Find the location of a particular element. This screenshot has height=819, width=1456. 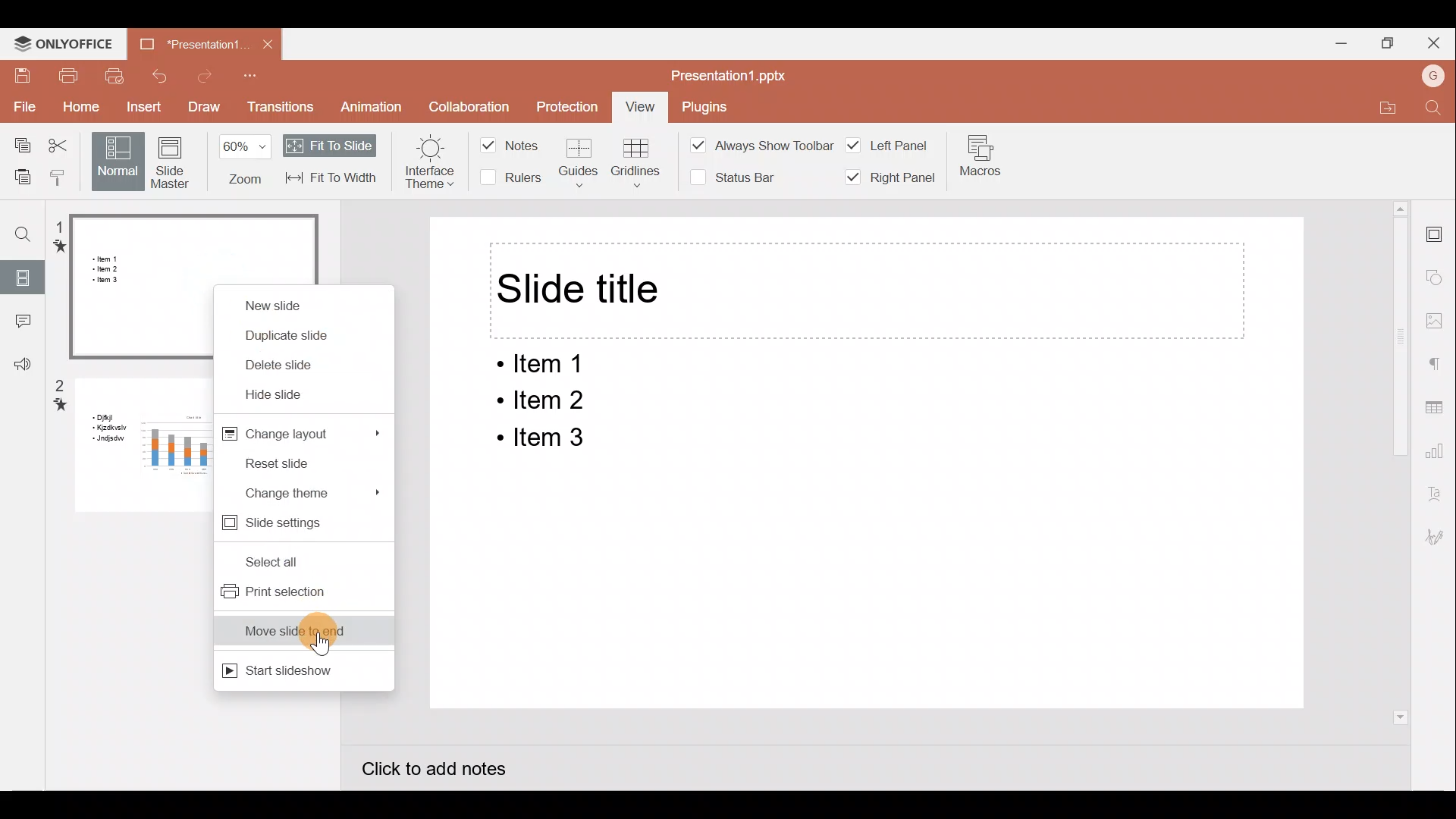

Presentation slide is located at coordinates (866, 585).